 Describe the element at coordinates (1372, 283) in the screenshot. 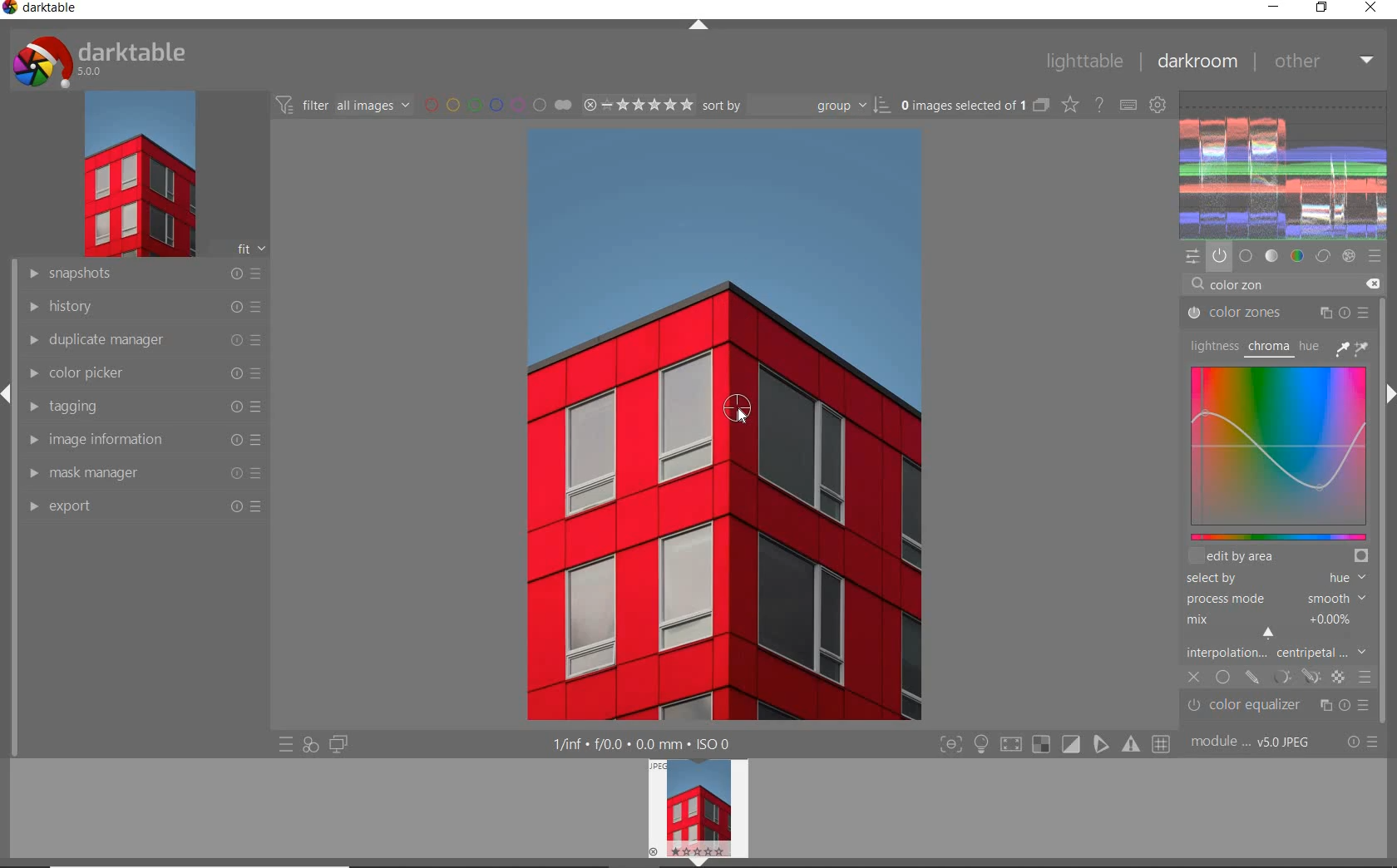

I see `DELETE` at that location.